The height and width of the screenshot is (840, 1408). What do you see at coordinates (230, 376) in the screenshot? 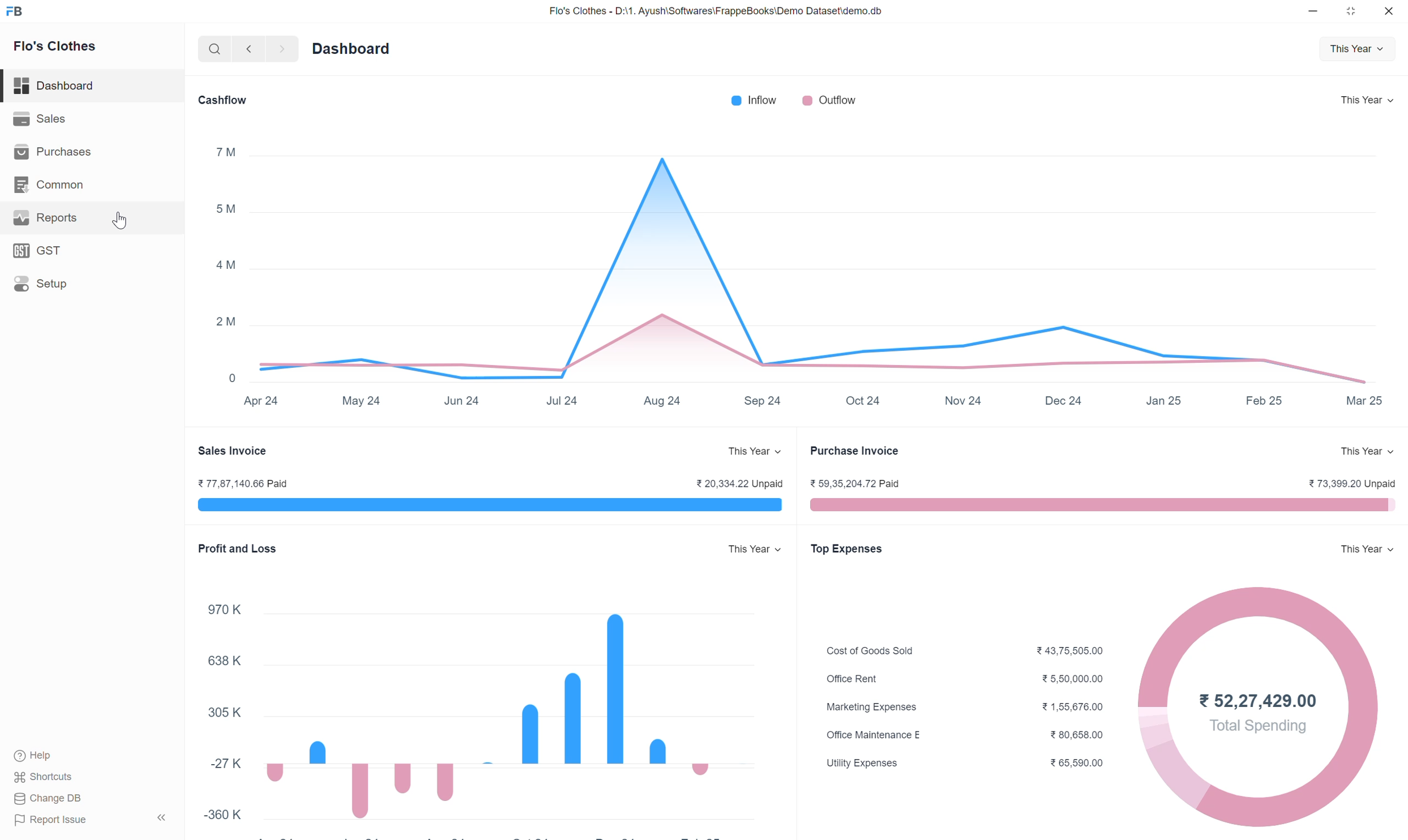
I see `0` at bounding box center [230, 376].